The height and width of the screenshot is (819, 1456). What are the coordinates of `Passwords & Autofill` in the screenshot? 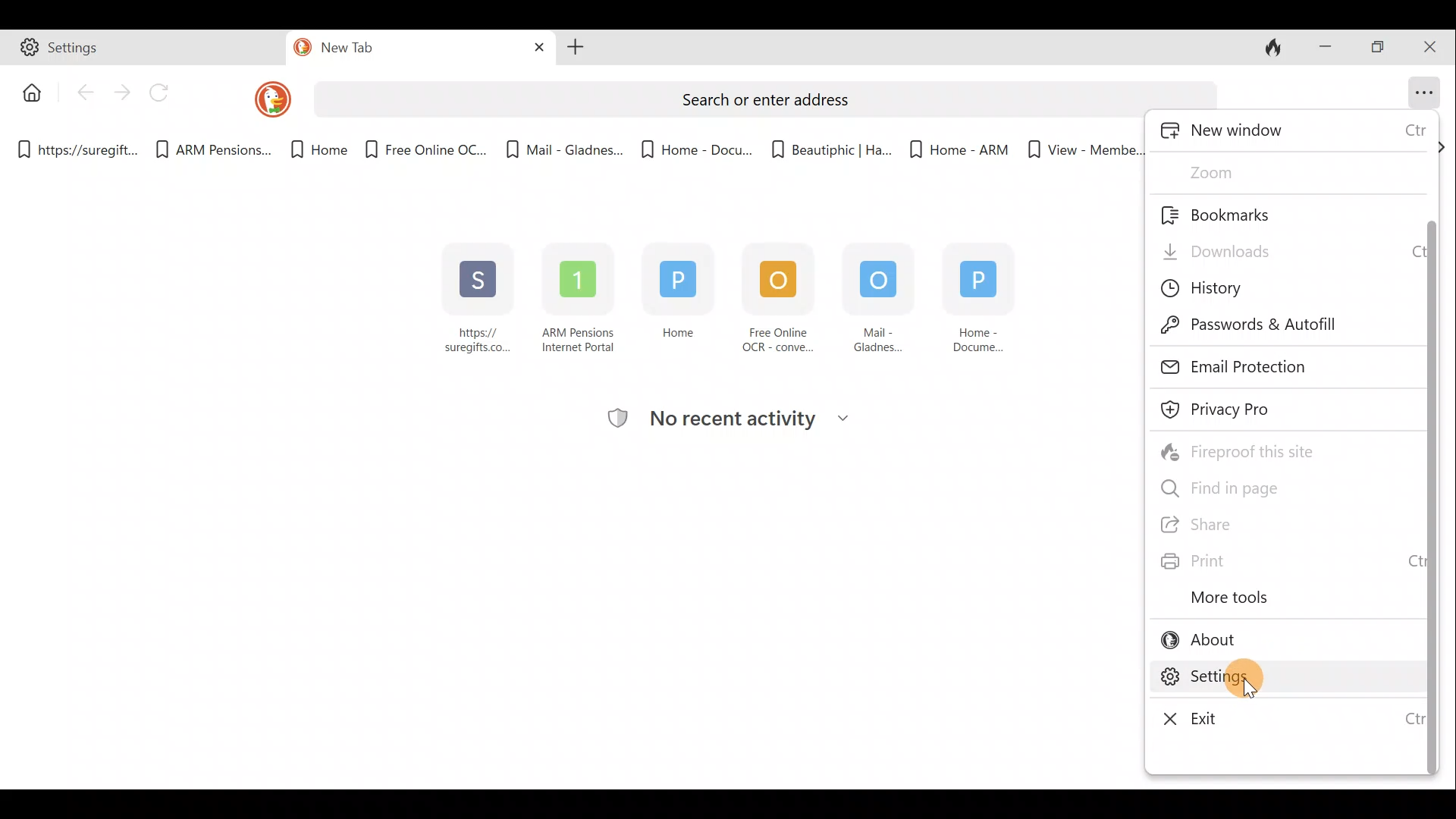 It's located at (1267, 328).